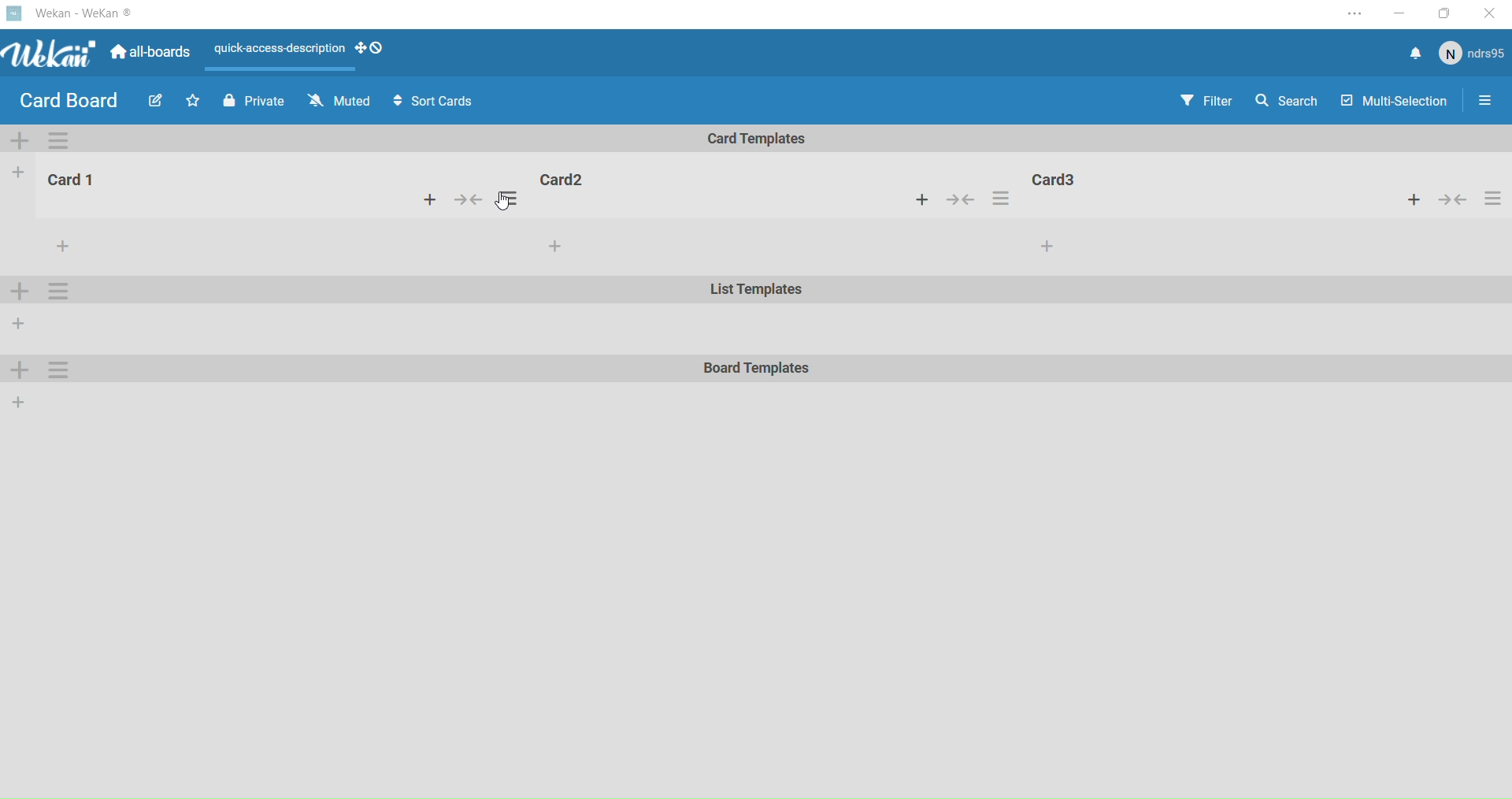 This screenshot has width=1512, height=799. What do you see at coordinates (472, 199) in the screenshot?
I see `collapse` at bounding box center [472, 199].